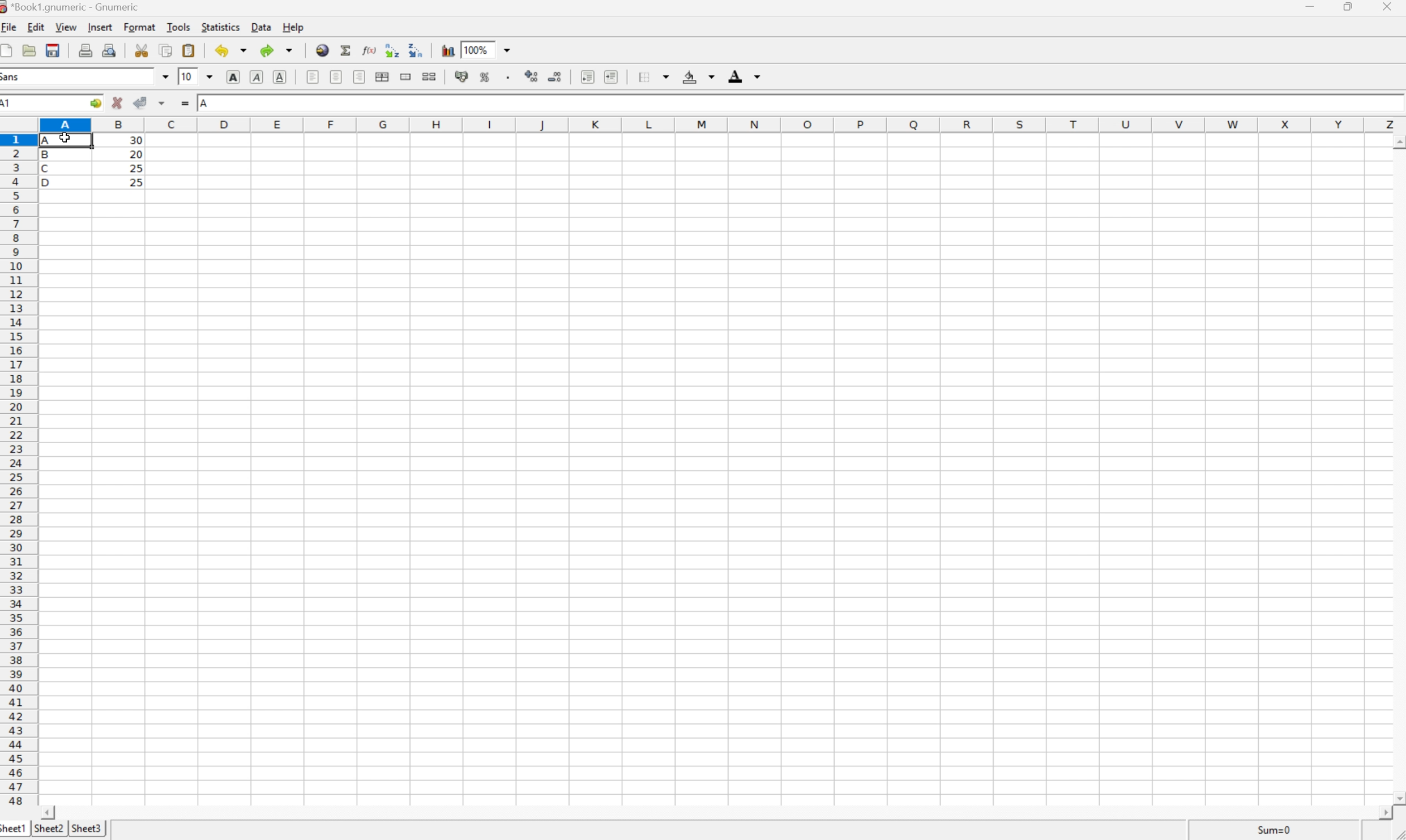  What do you see at coordinates (233, 77) in the screenshot?
I see `Bold` at bounding box center [233, 77].